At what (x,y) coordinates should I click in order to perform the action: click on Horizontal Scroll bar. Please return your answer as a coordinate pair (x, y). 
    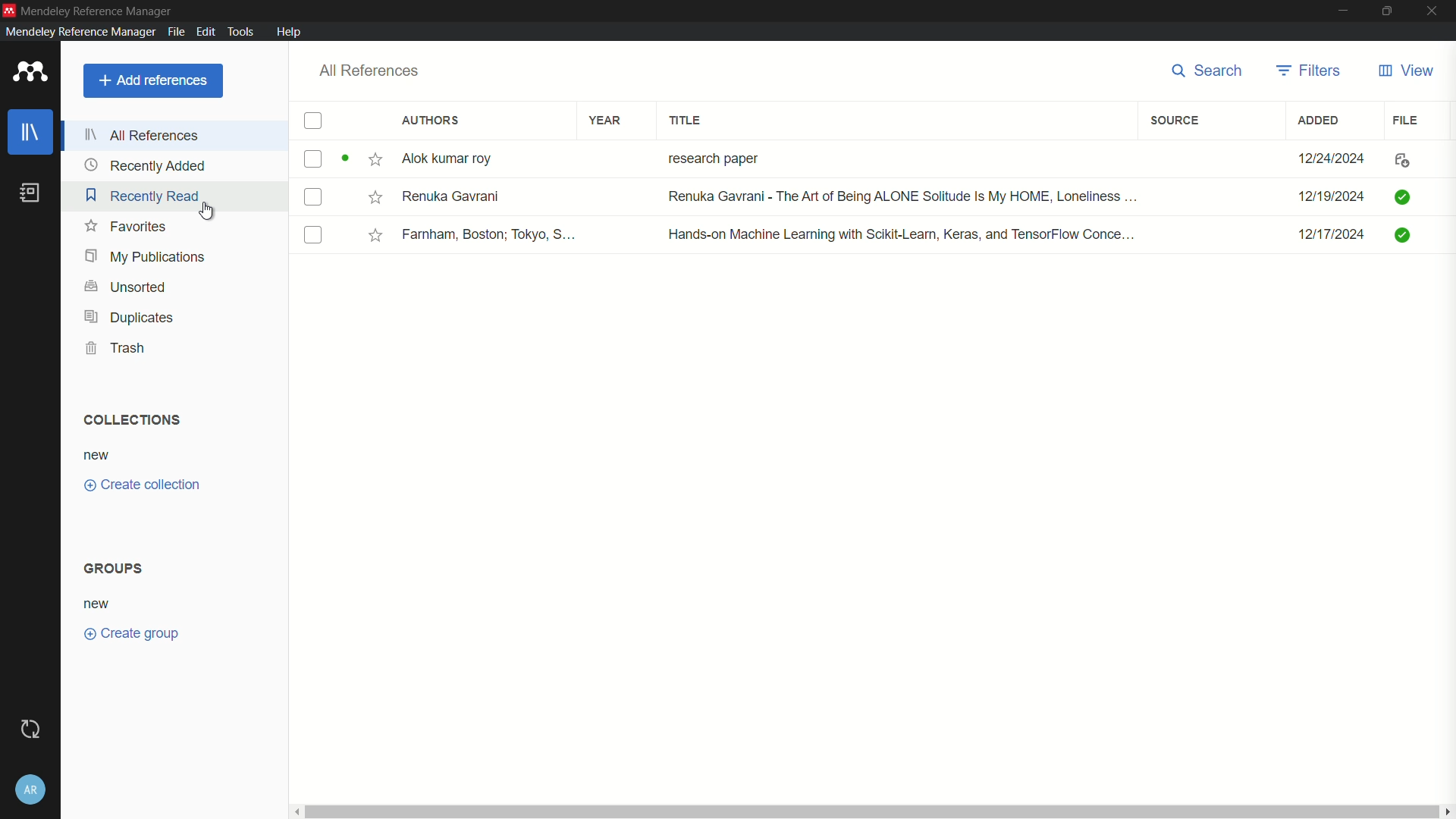
    Looking at the image, I should click on (869, 813).